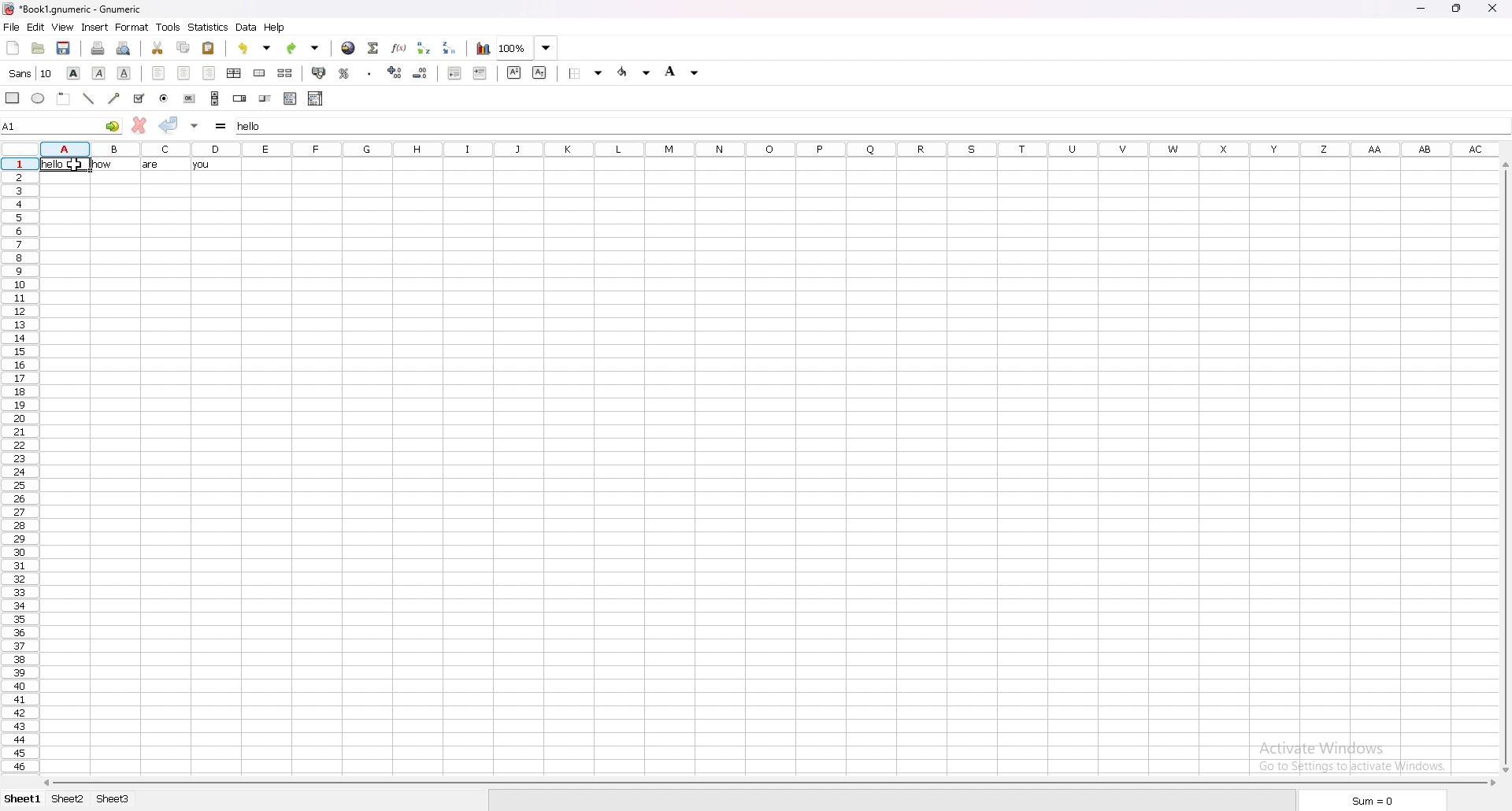  What do you see at coordinates (765, 150) in the screenshot?
I see `columns` at bounding box center [765, 150].